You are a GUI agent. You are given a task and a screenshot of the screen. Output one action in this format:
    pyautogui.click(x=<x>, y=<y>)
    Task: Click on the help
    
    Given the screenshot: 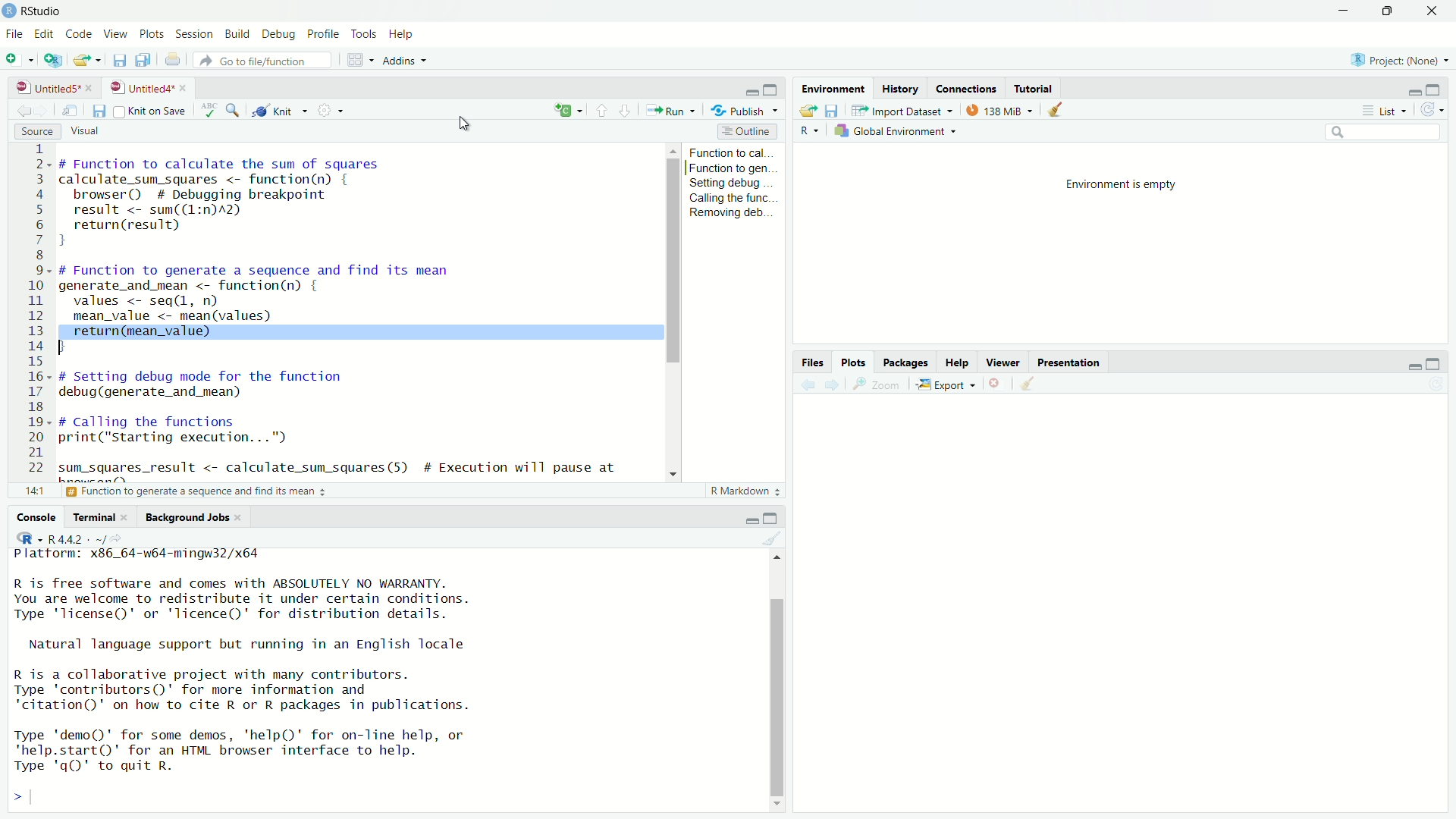 What is the action you would take?
    pyautogui.click(x=403, y=33)
    